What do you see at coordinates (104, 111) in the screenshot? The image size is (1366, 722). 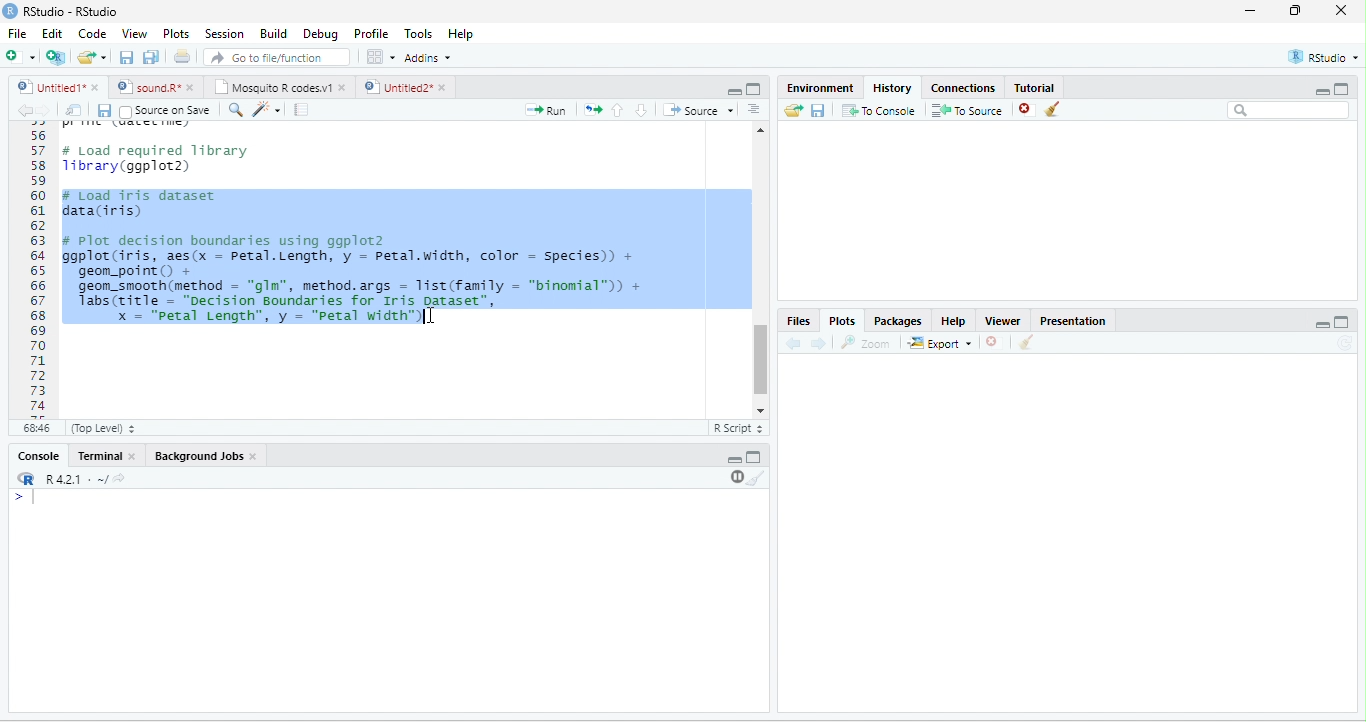 I see `save` at bounding box center [104, 111].